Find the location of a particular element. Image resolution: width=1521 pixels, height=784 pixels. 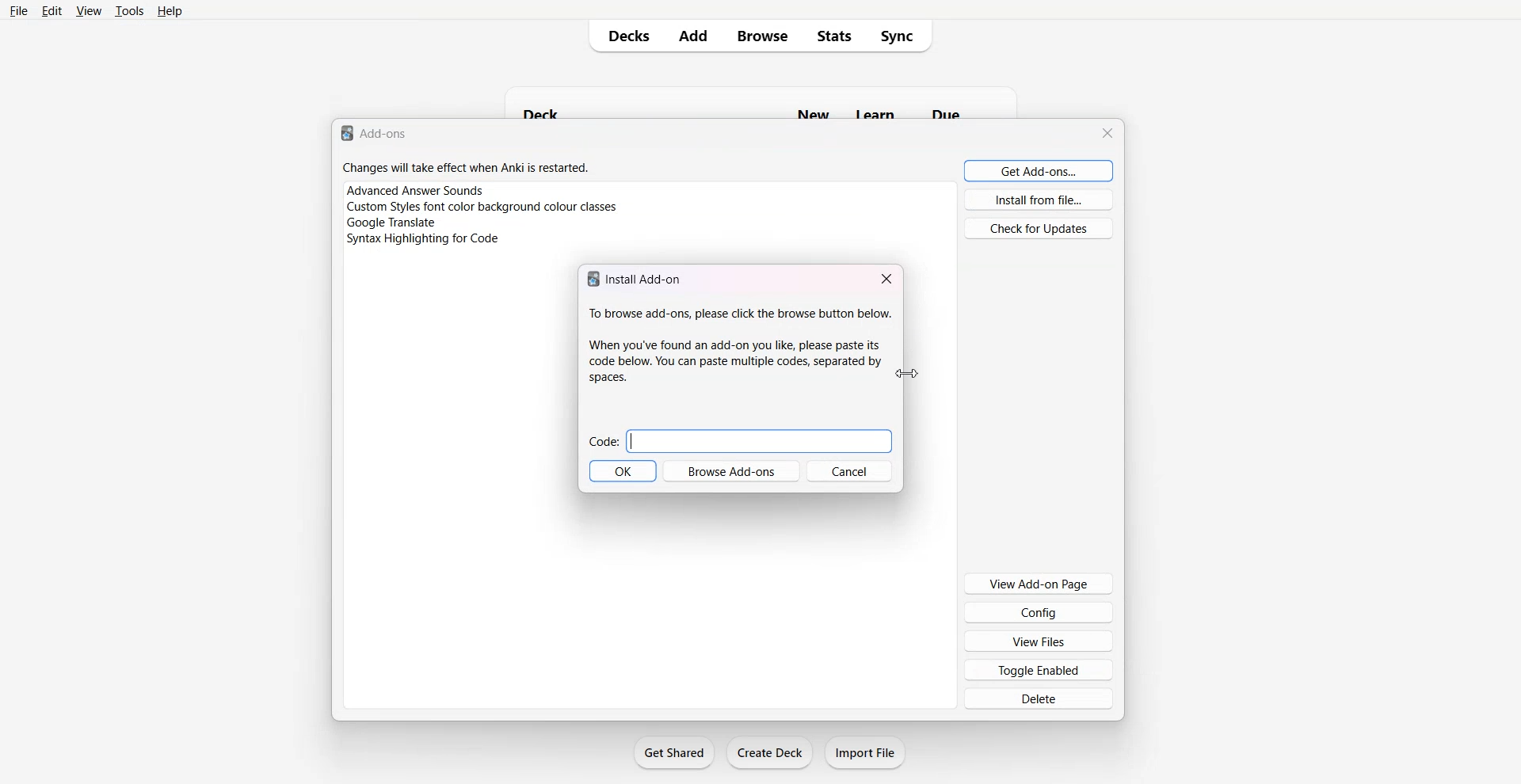

changes will take effect when Anki is restarted. is located at coordinates (466, 167).